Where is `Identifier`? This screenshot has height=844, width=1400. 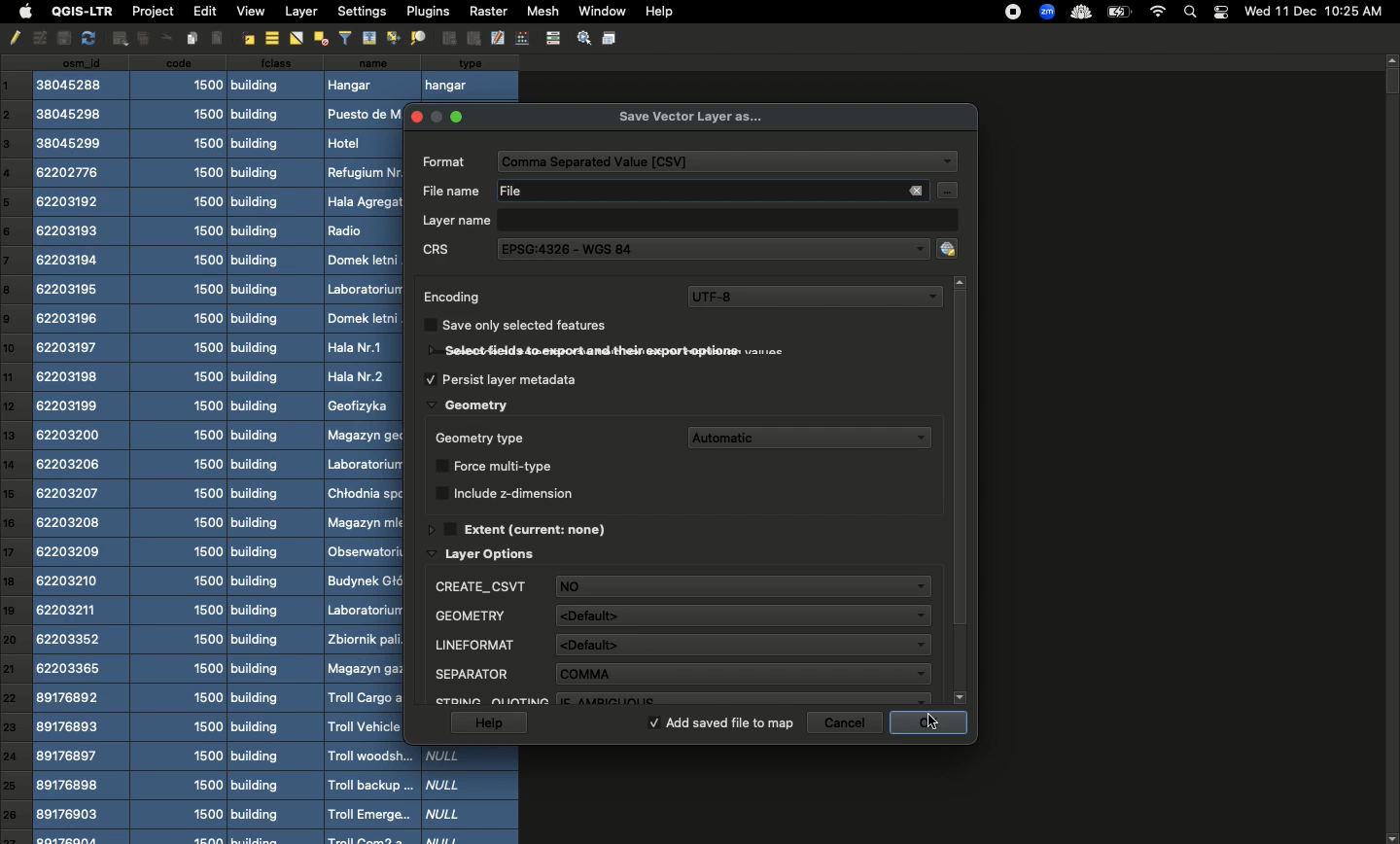 Identifier is located at coordinates (683, 672).